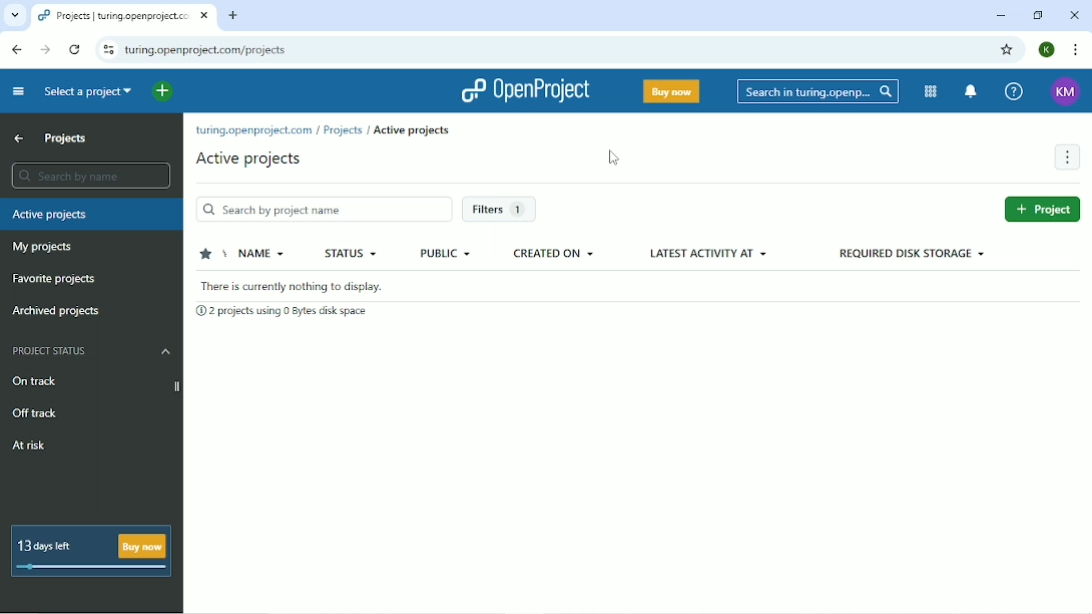 Image resolution: width=1092 pixels, height=614 pixels. I want to click on Sort by favorite, so click(210, 254).